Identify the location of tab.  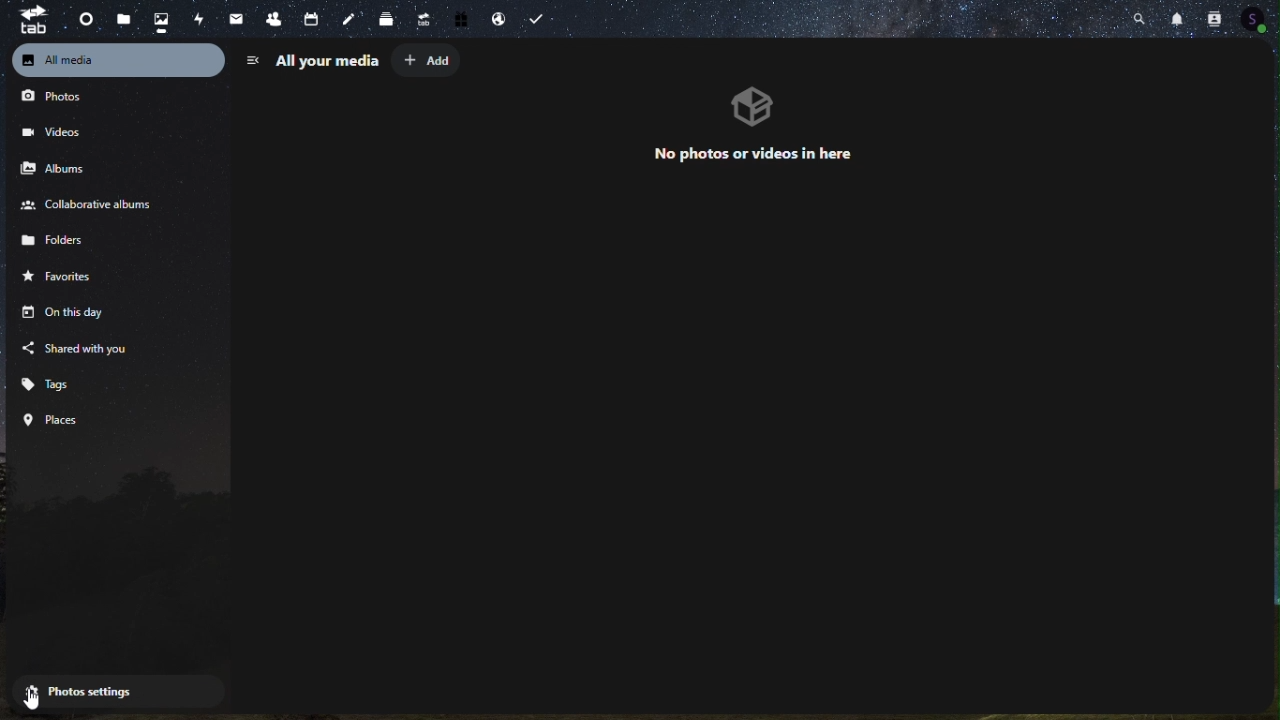
(26, 22).